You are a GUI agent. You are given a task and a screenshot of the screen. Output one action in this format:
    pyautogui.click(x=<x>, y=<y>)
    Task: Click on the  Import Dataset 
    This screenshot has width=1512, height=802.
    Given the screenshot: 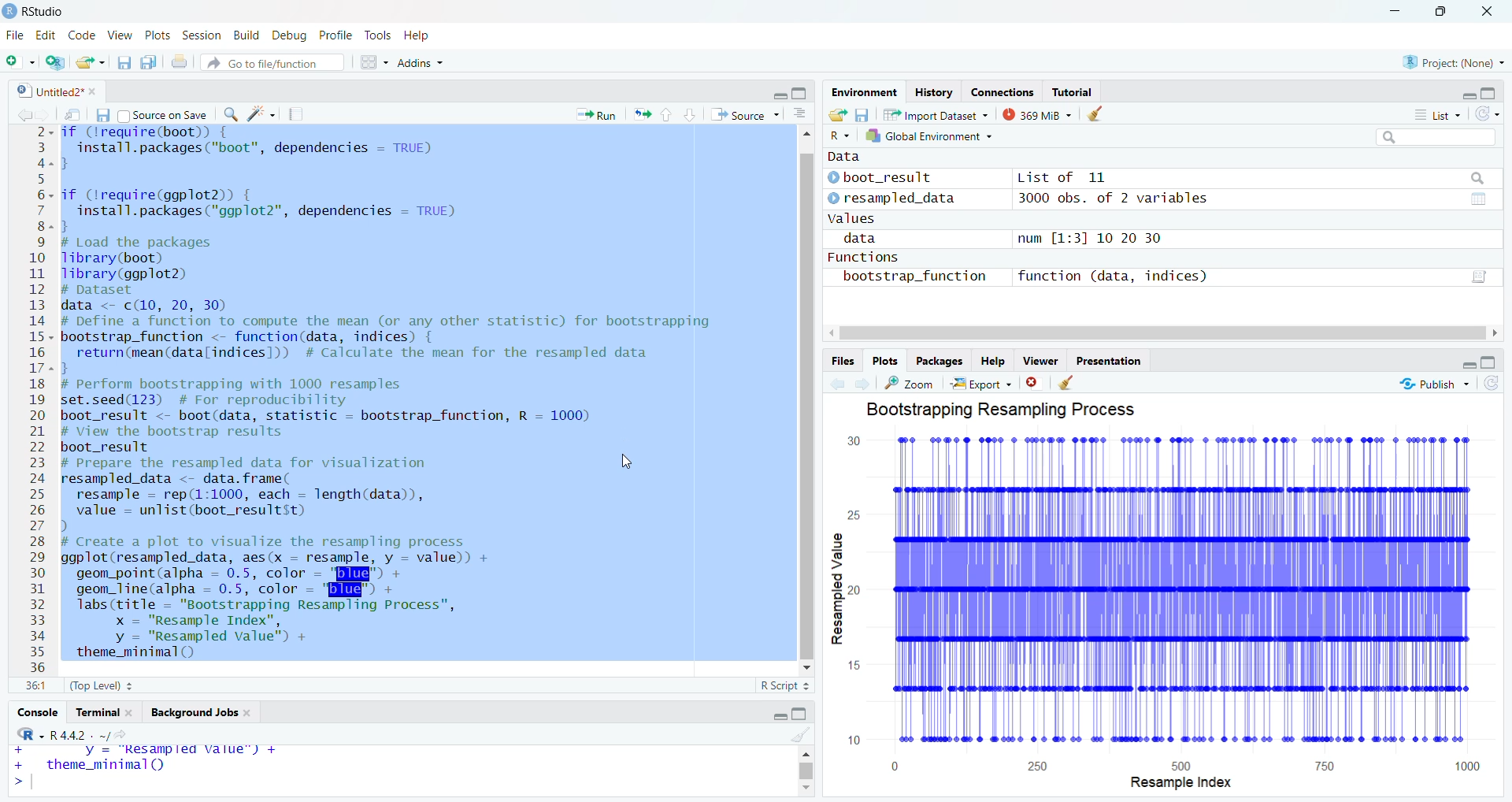 What is the action you would take?
    pyautogui.click(x=936, y=113)
    